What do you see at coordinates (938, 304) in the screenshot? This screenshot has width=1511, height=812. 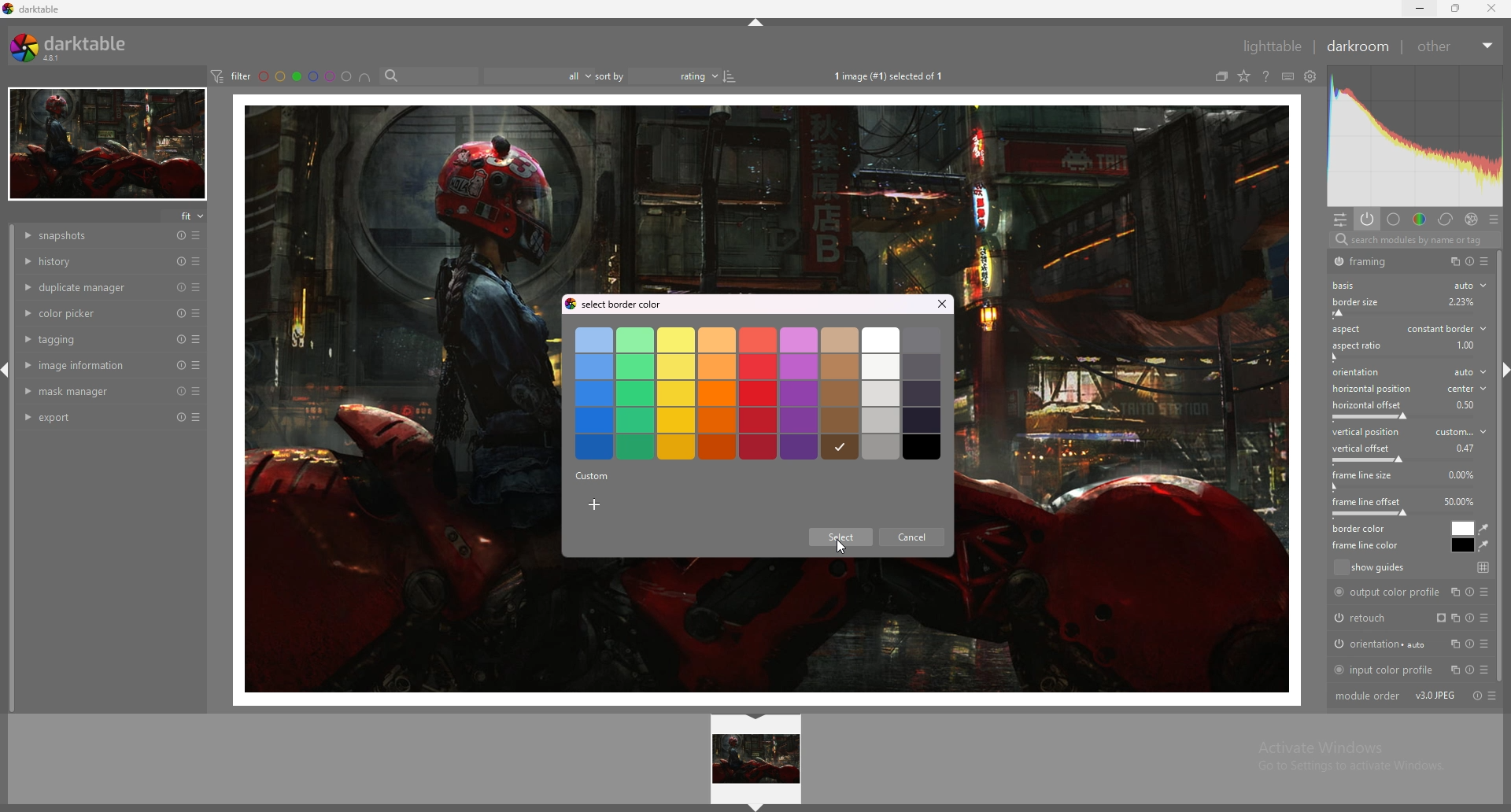 I see `close tab` at bounding box center [938, 304].